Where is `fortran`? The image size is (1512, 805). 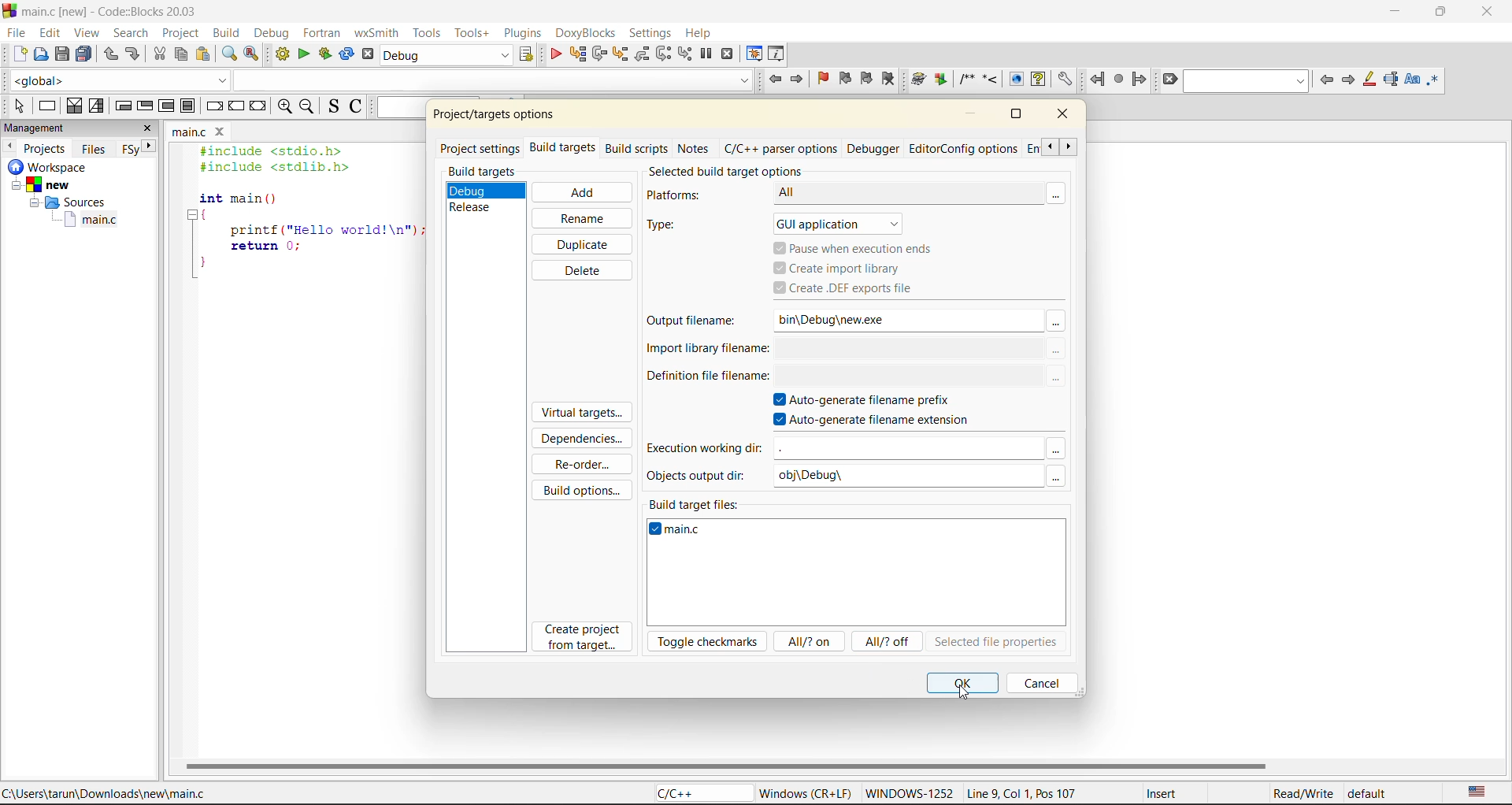 fortran is located at coordinates (322, 31).